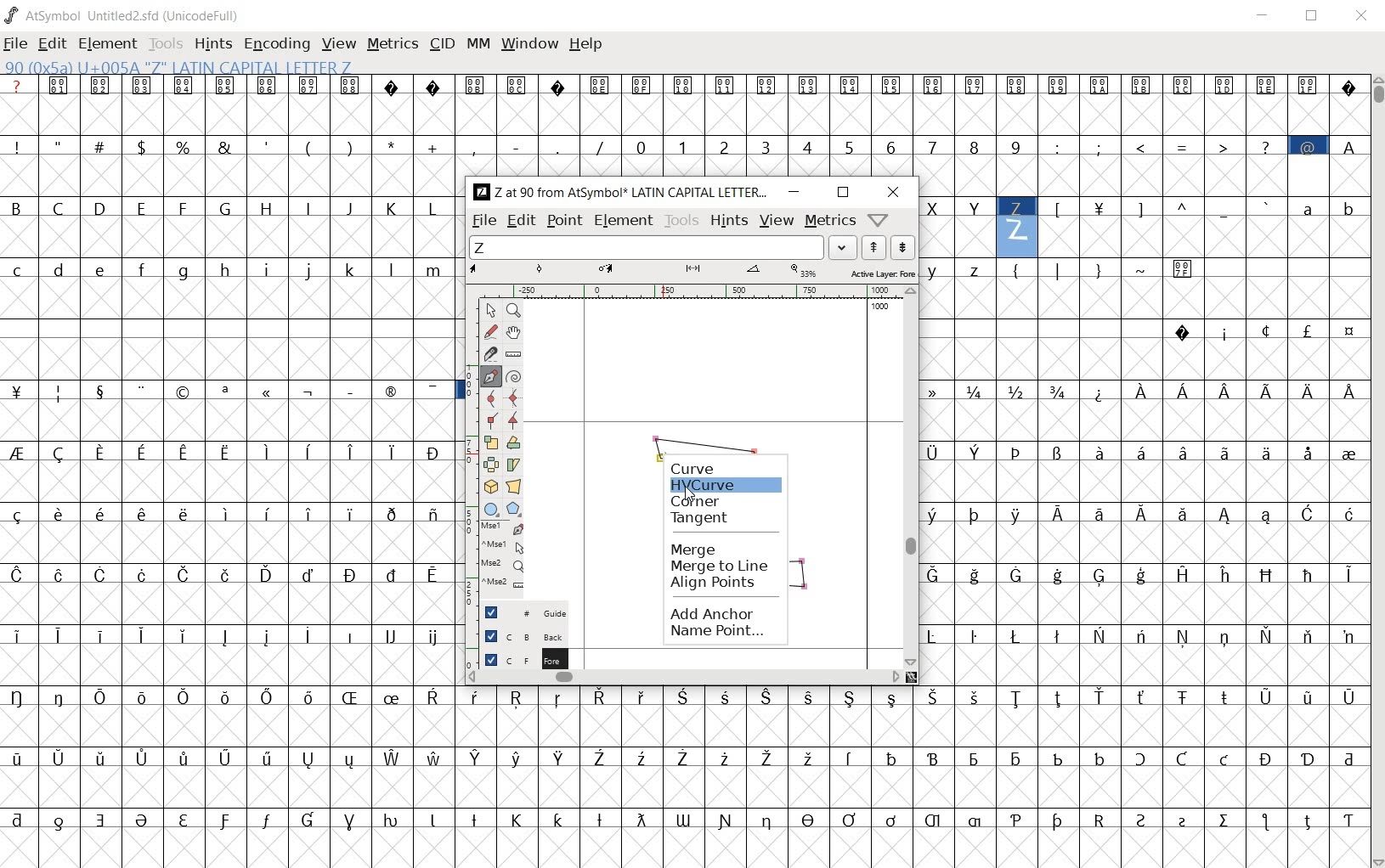 The height and width of the screenshot is (868, 1385). What do you see at coordinates (54, 45) in the screenshot?
I see `edit` at bounding box center [54, 45].